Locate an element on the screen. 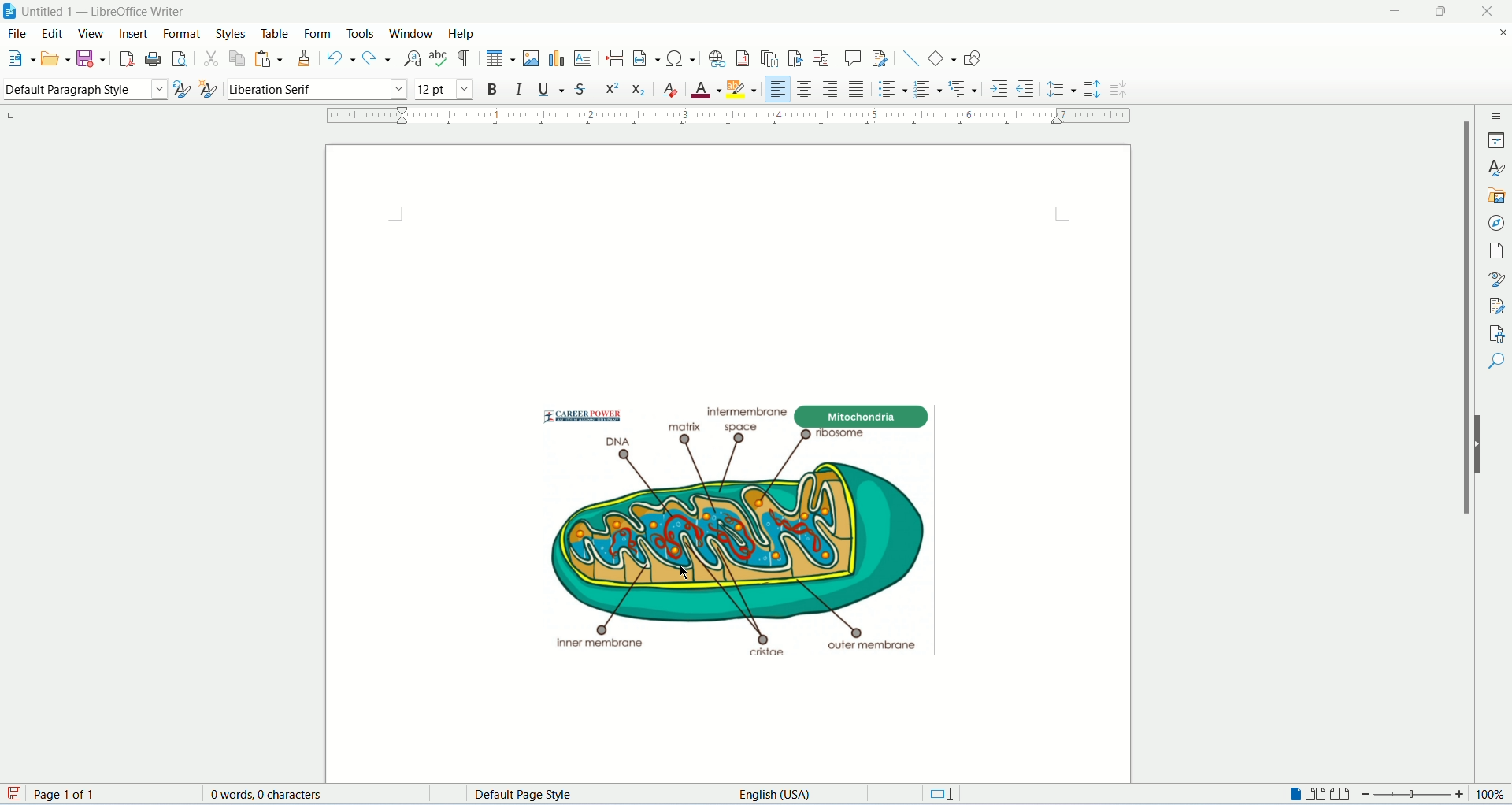  ruler is located at coordinates (739, 116).